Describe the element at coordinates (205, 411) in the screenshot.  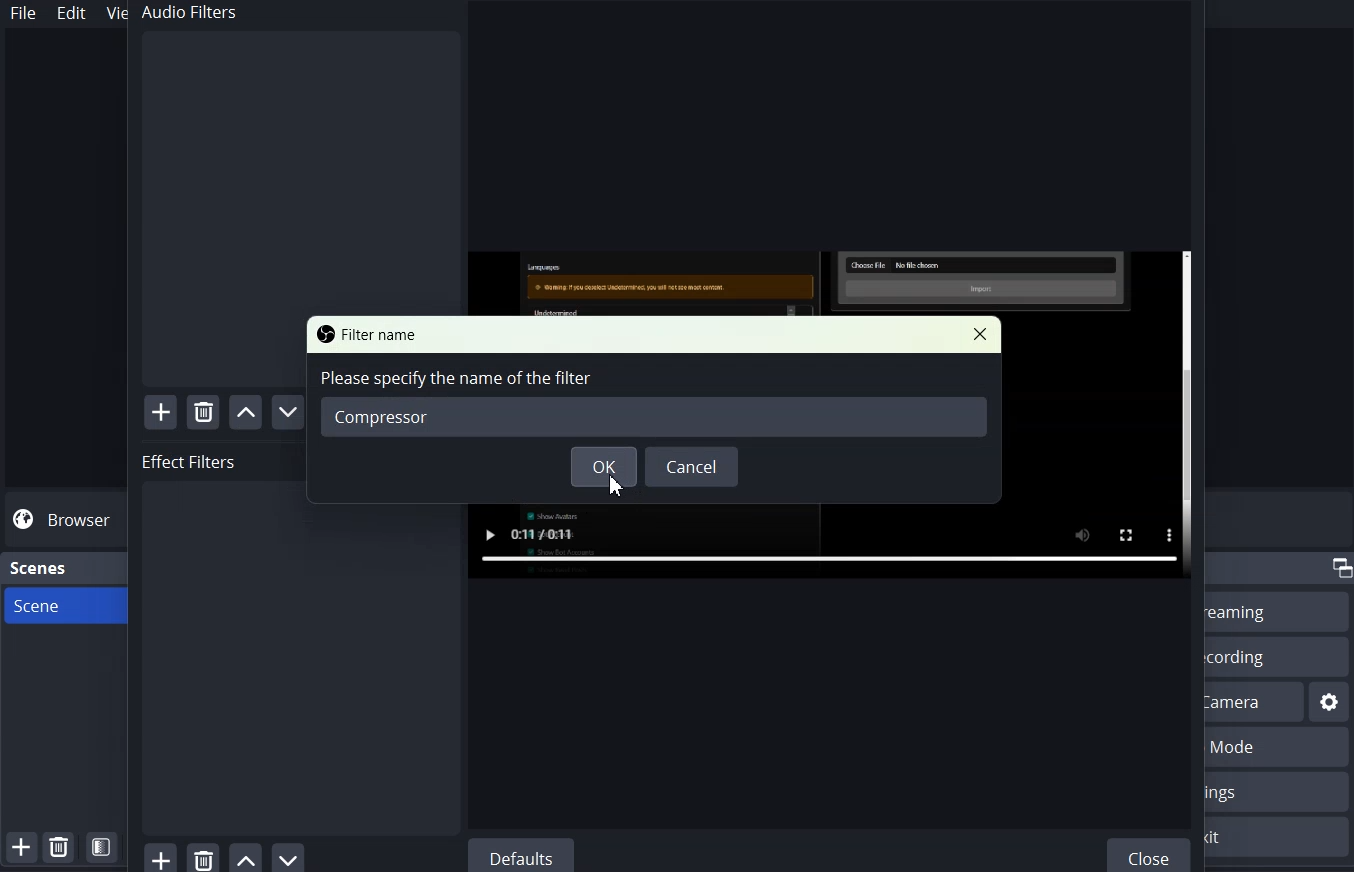
I see `Remove Filter` at that location.